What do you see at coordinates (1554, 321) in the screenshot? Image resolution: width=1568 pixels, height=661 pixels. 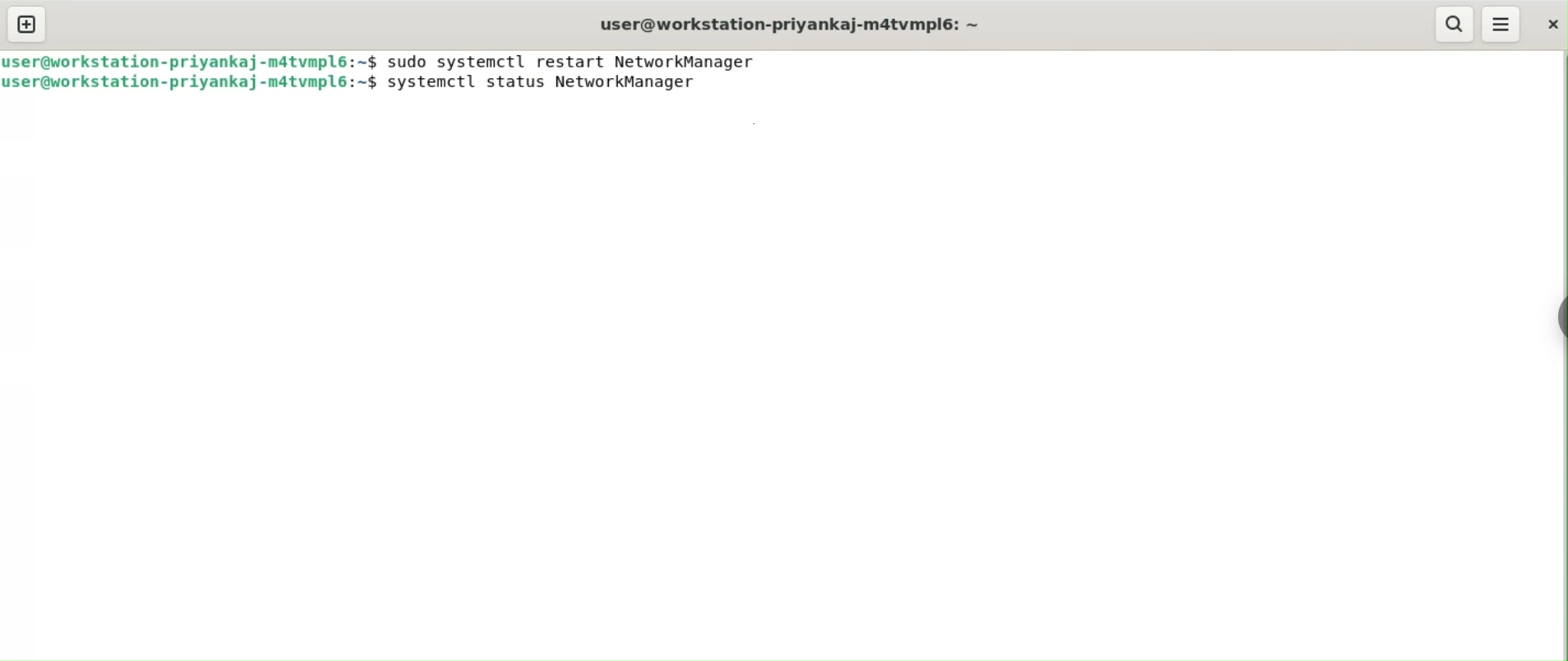 I see `Toggle button` at bounding box center [1554, 321].